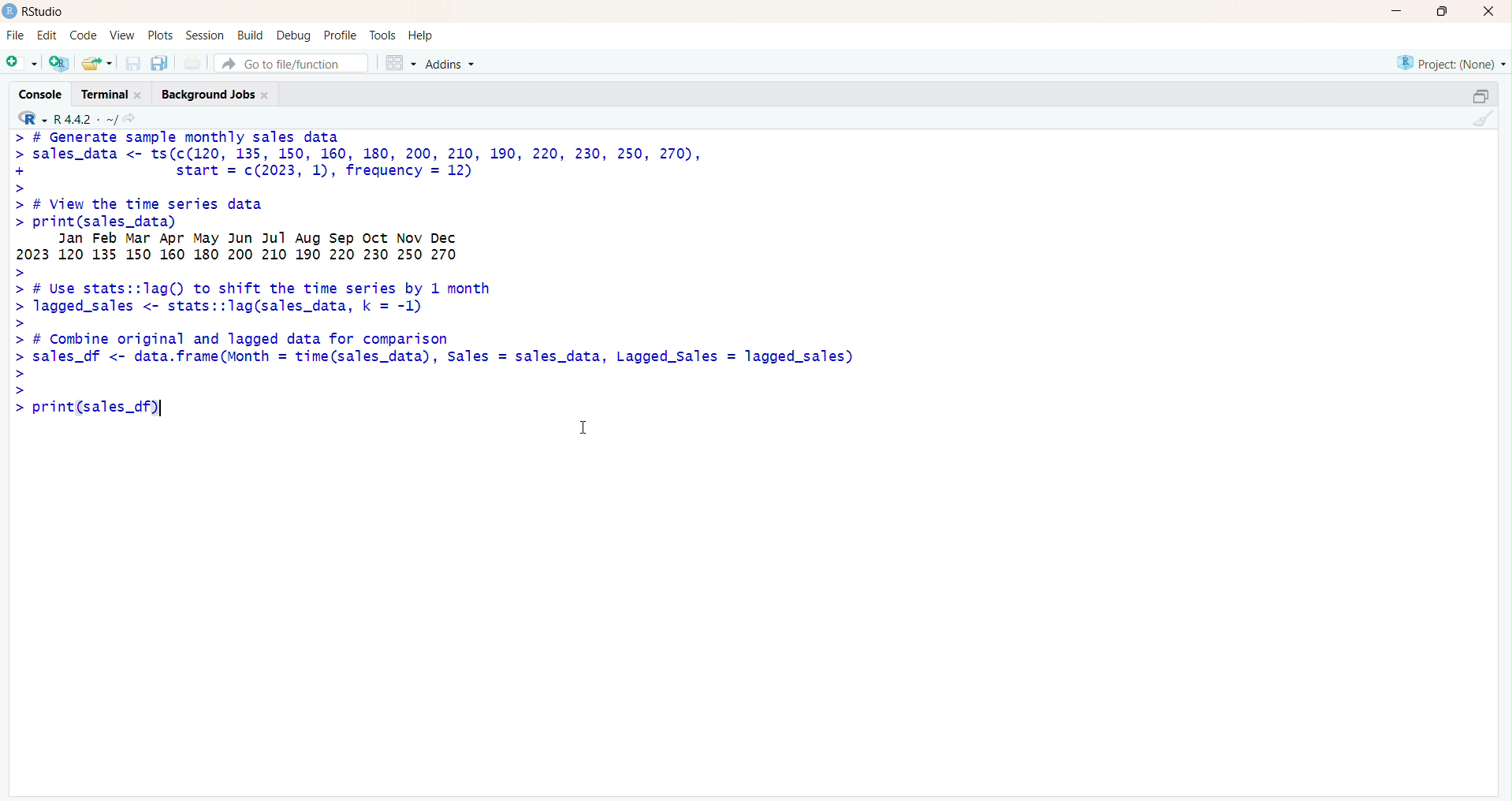 The image size is (1512, 801). What do you see at coordinates (131, 120) in the screenshot?
I see `view the current working directory` at bounding box center [131, 120].